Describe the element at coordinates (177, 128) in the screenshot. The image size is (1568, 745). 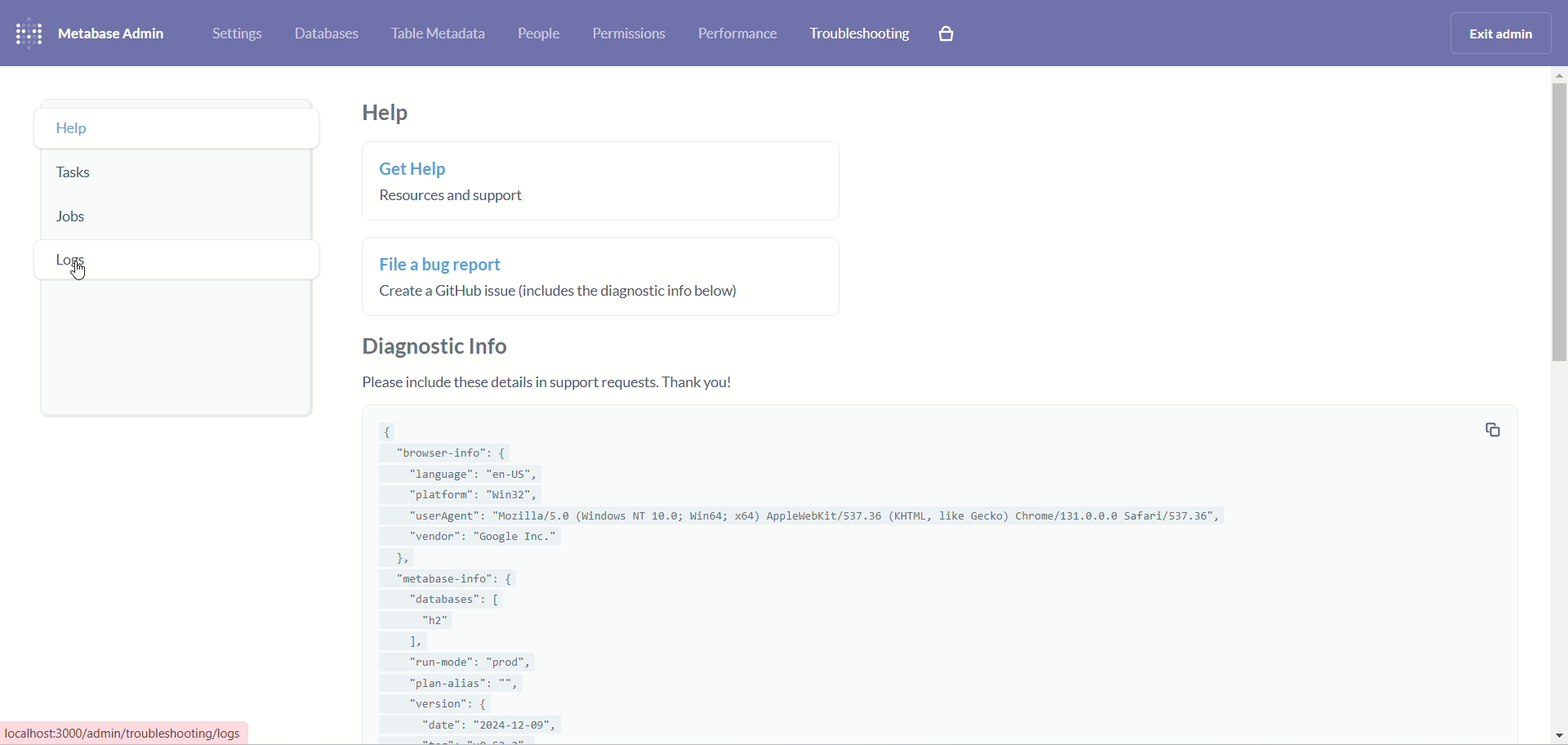
I see `help` at that location.